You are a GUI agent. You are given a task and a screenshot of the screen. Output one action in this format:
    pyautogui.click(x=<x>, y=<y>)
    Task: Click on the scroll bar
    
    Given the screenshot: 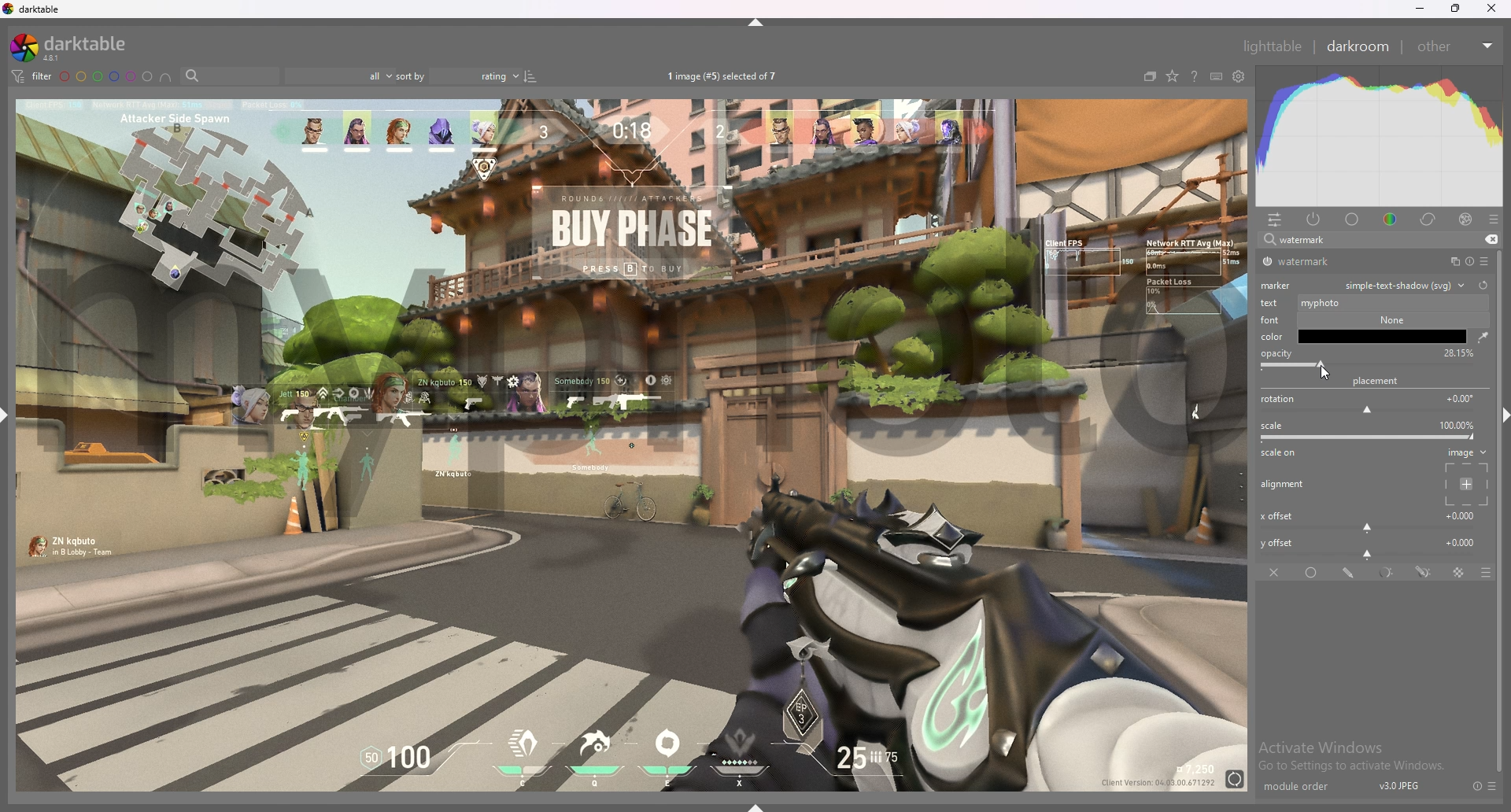 What is the action you would take?
    pyautogui.click(x=1502, y=600)
    